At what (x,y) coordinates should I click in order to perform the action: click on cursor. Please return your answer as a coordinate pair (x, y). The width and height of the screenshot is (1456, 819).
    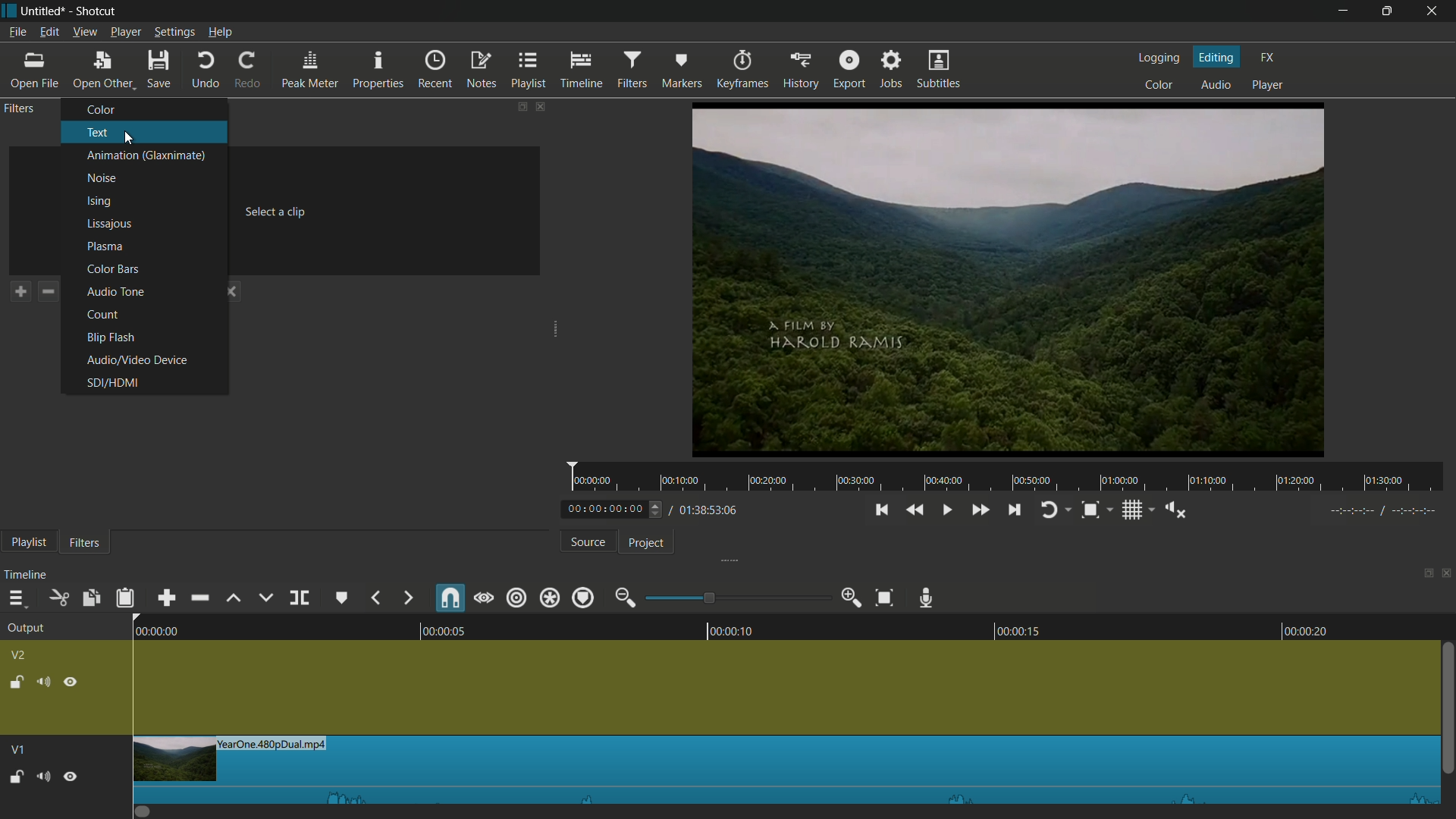
    Looking at the image, I should click on (107, 83).